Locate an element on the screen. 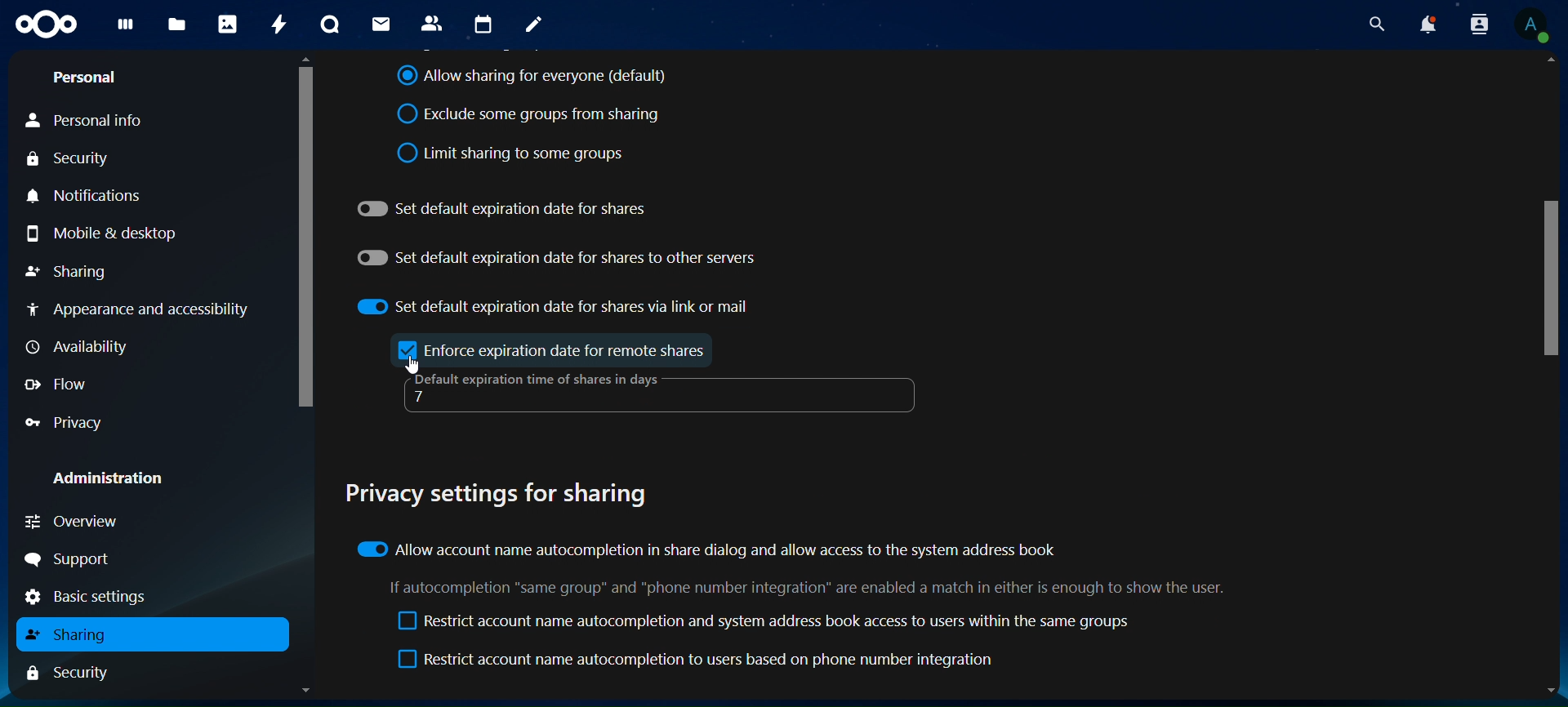  dashboard is located at coordinates (123, 31).